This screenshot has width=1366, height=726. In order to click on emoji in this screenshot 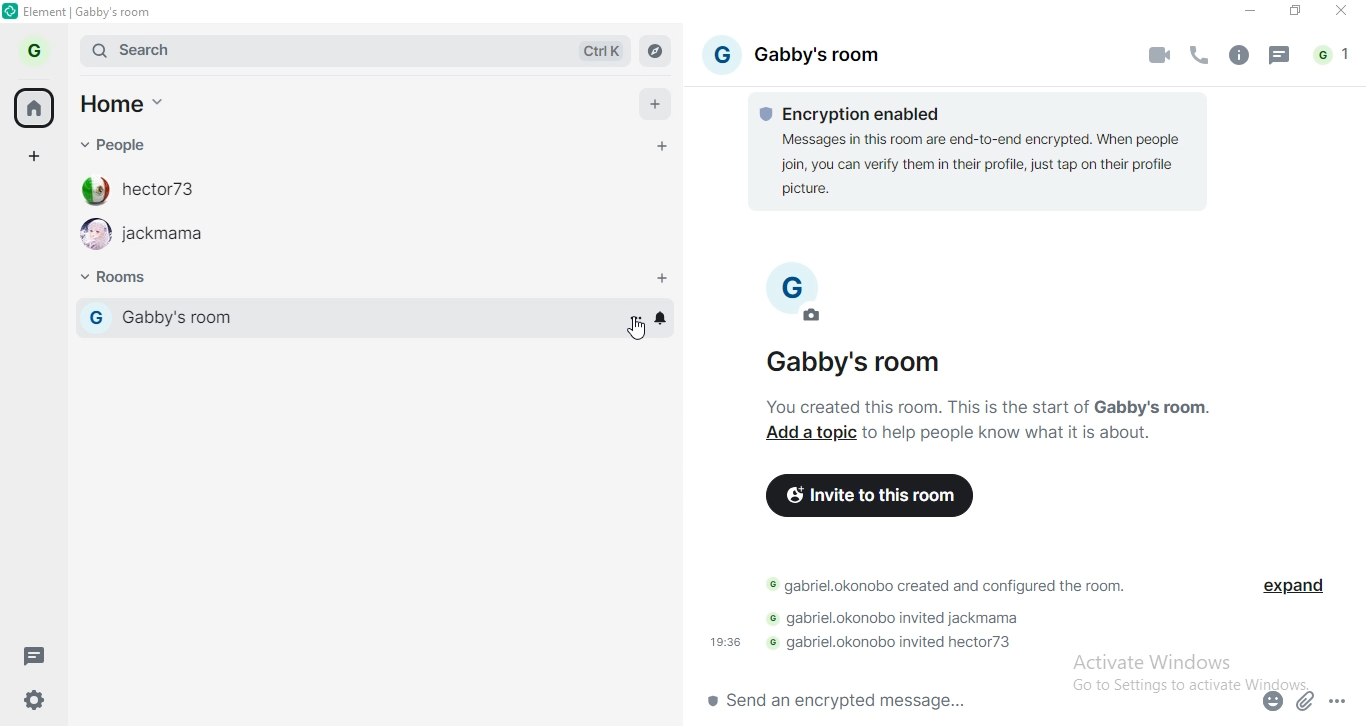, I will do `click(1273, 702)`.